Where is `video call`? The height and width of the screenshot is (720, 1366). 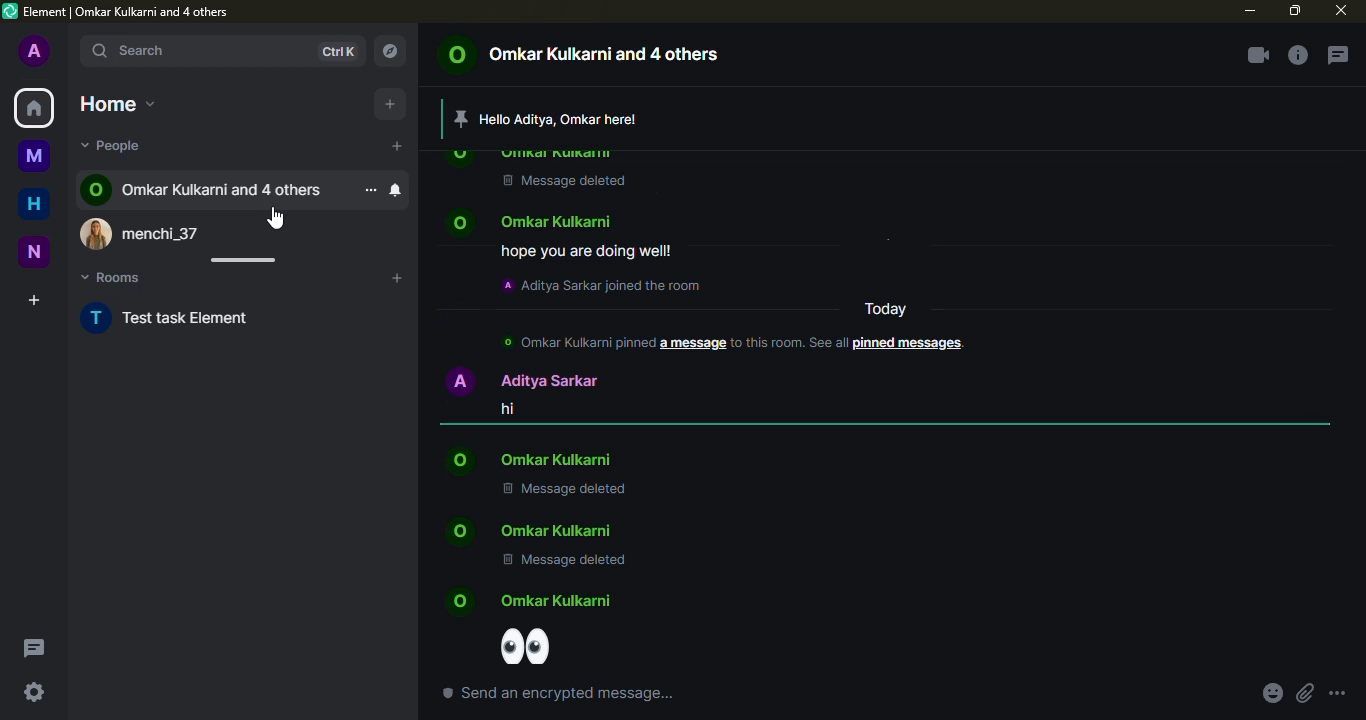
video call is located at coordinates (1260, 50).